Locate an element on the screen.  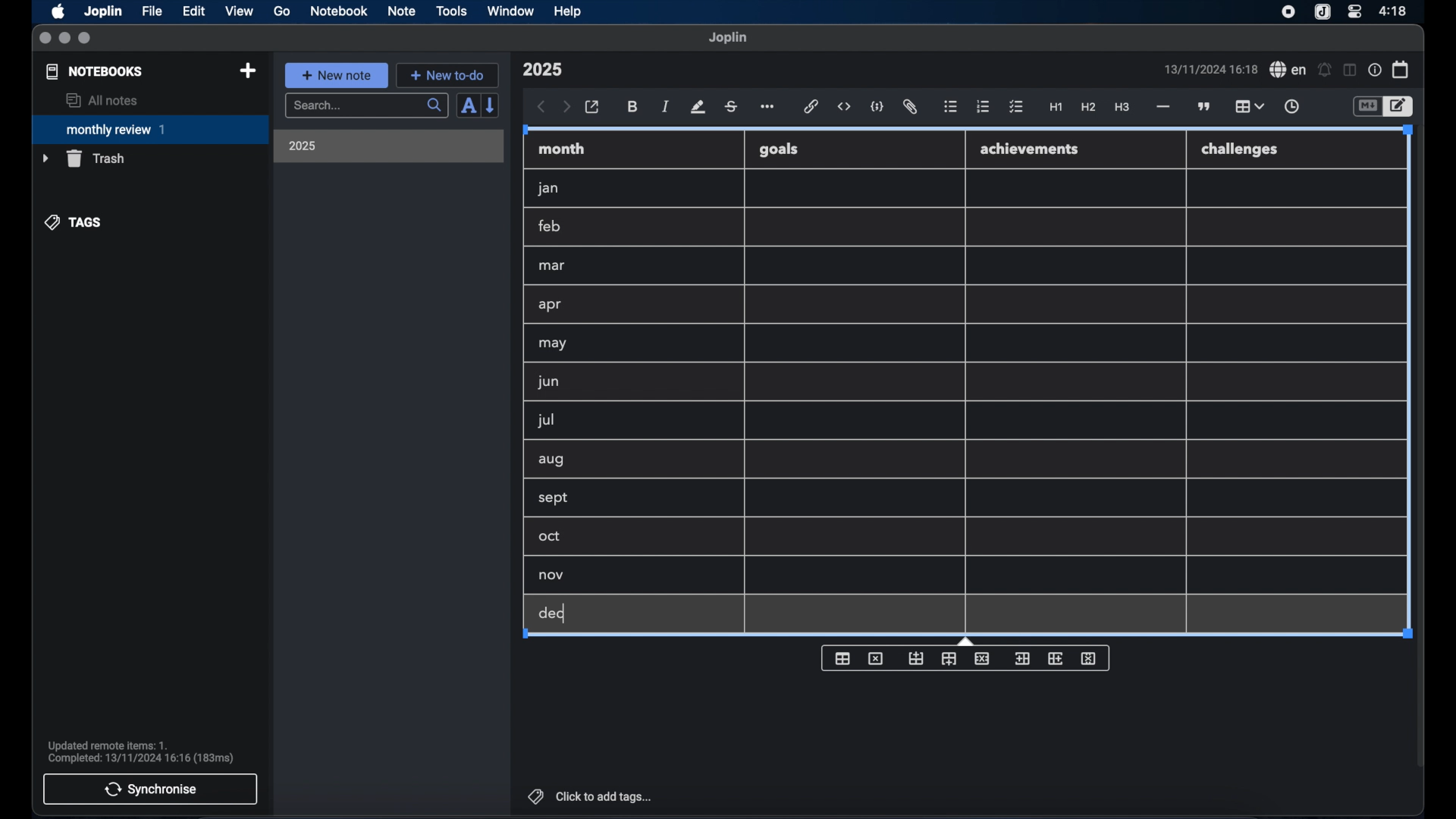
window is located at coordinates (511, 11).